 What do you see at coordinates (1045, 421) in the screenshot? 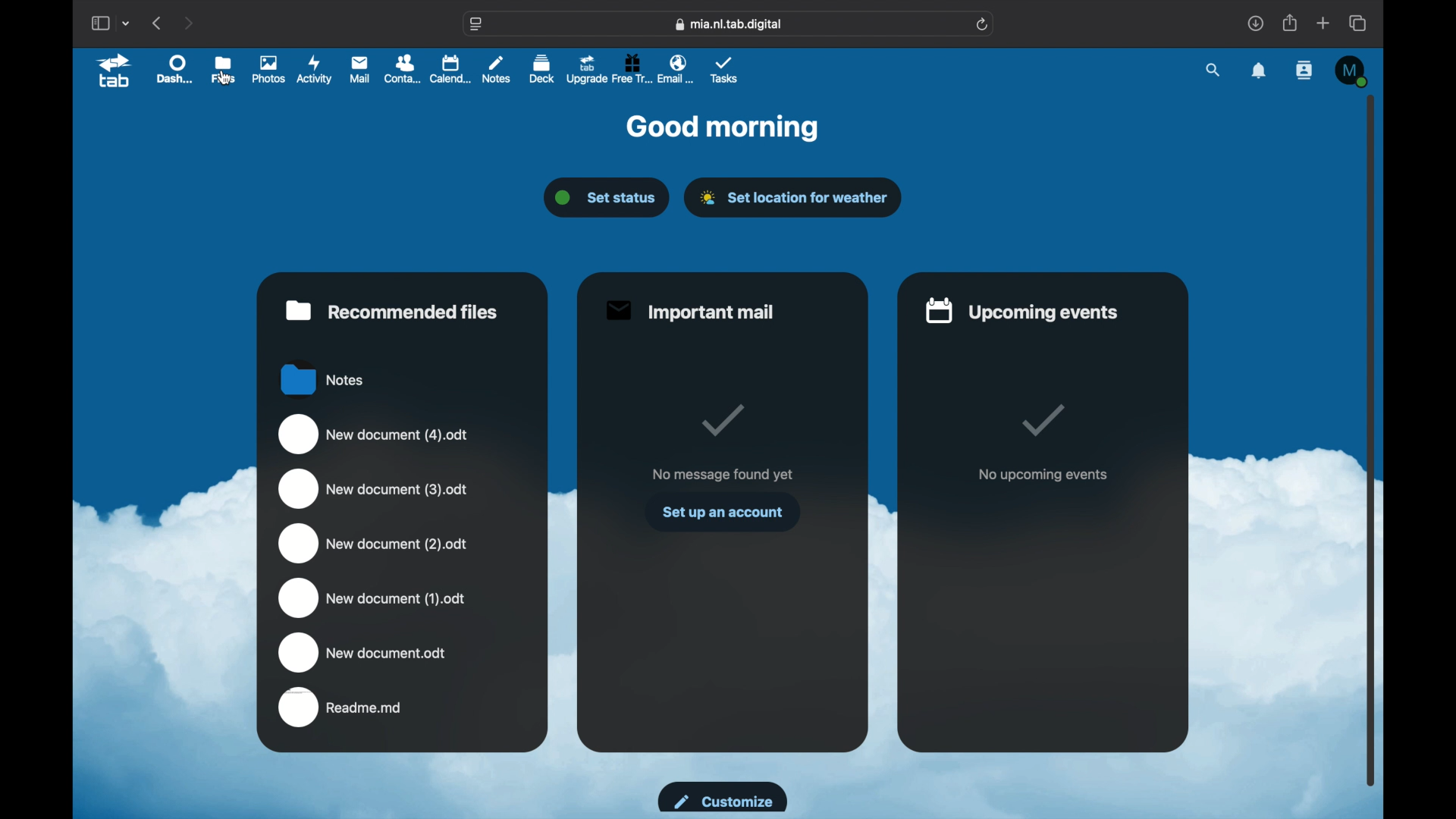
I see `tick mark` at bounding box center [1045, 421].